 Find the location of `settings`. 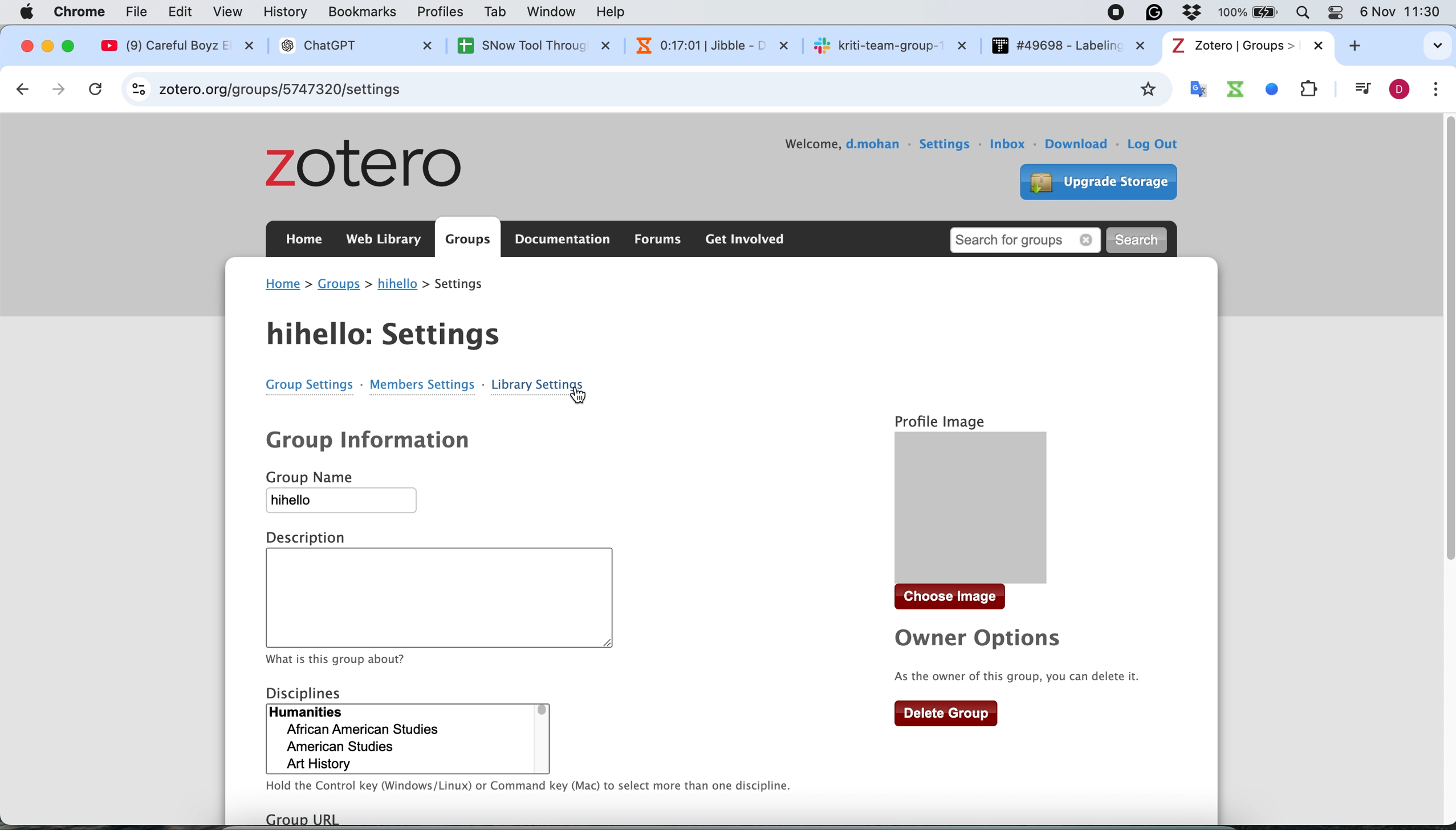

settings is located at coordinates (467, 285).